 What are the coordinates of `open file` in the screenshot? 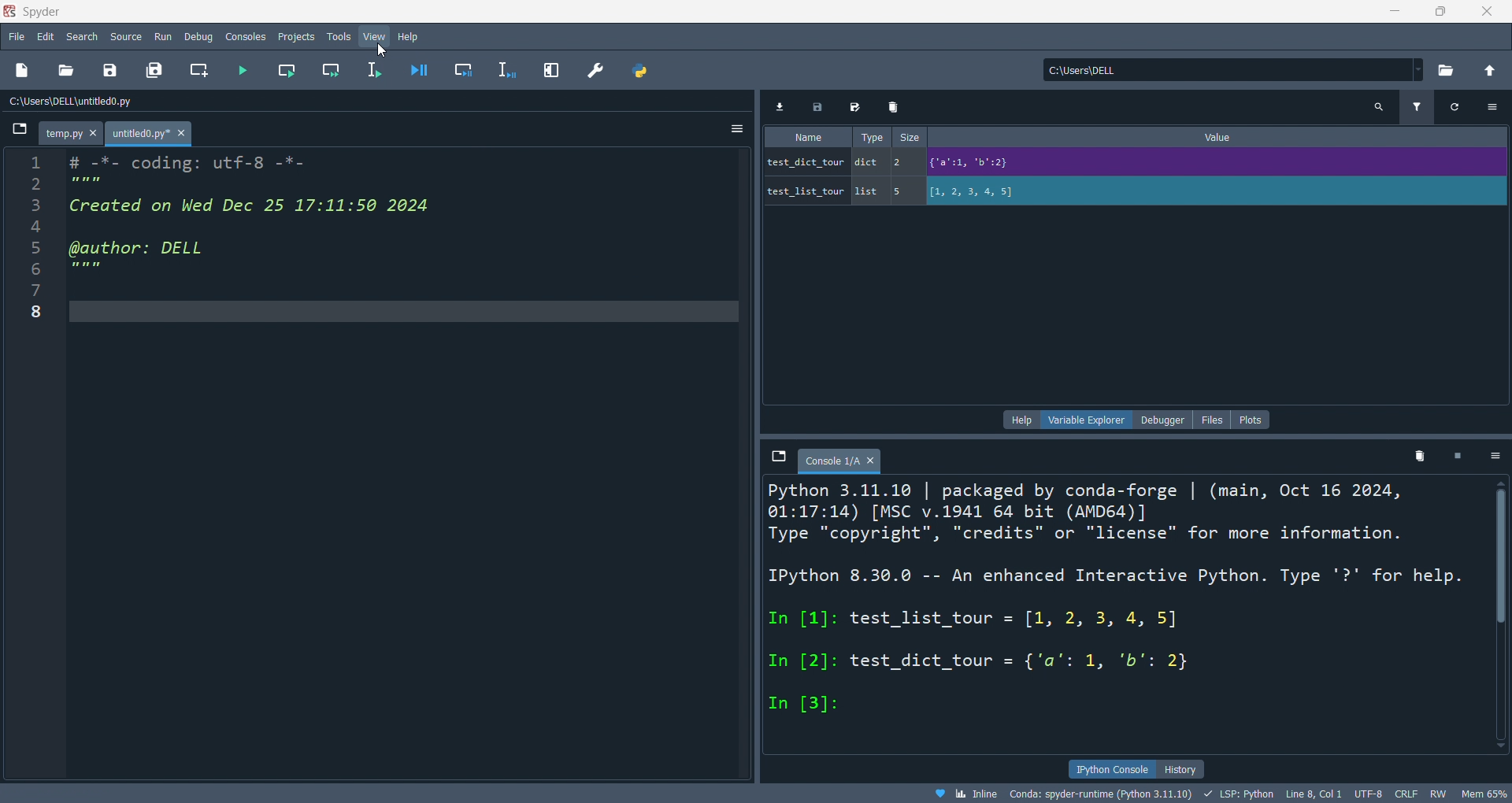 It's located at (68, 68).